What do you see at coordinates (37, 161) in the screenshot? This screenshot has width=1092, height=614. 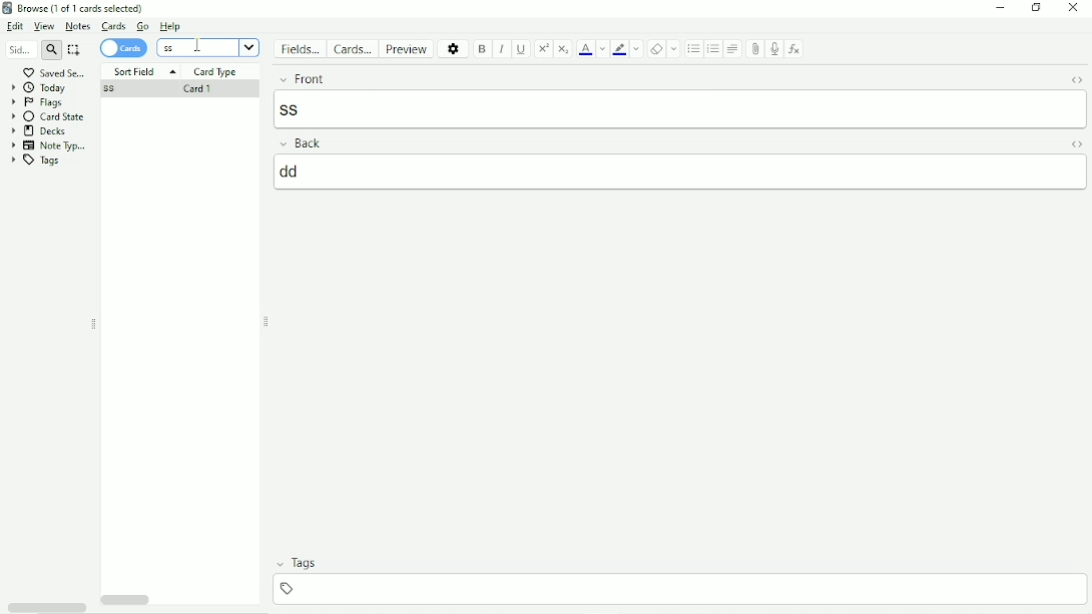 I see `Tags` at bounding box center [37, 161].